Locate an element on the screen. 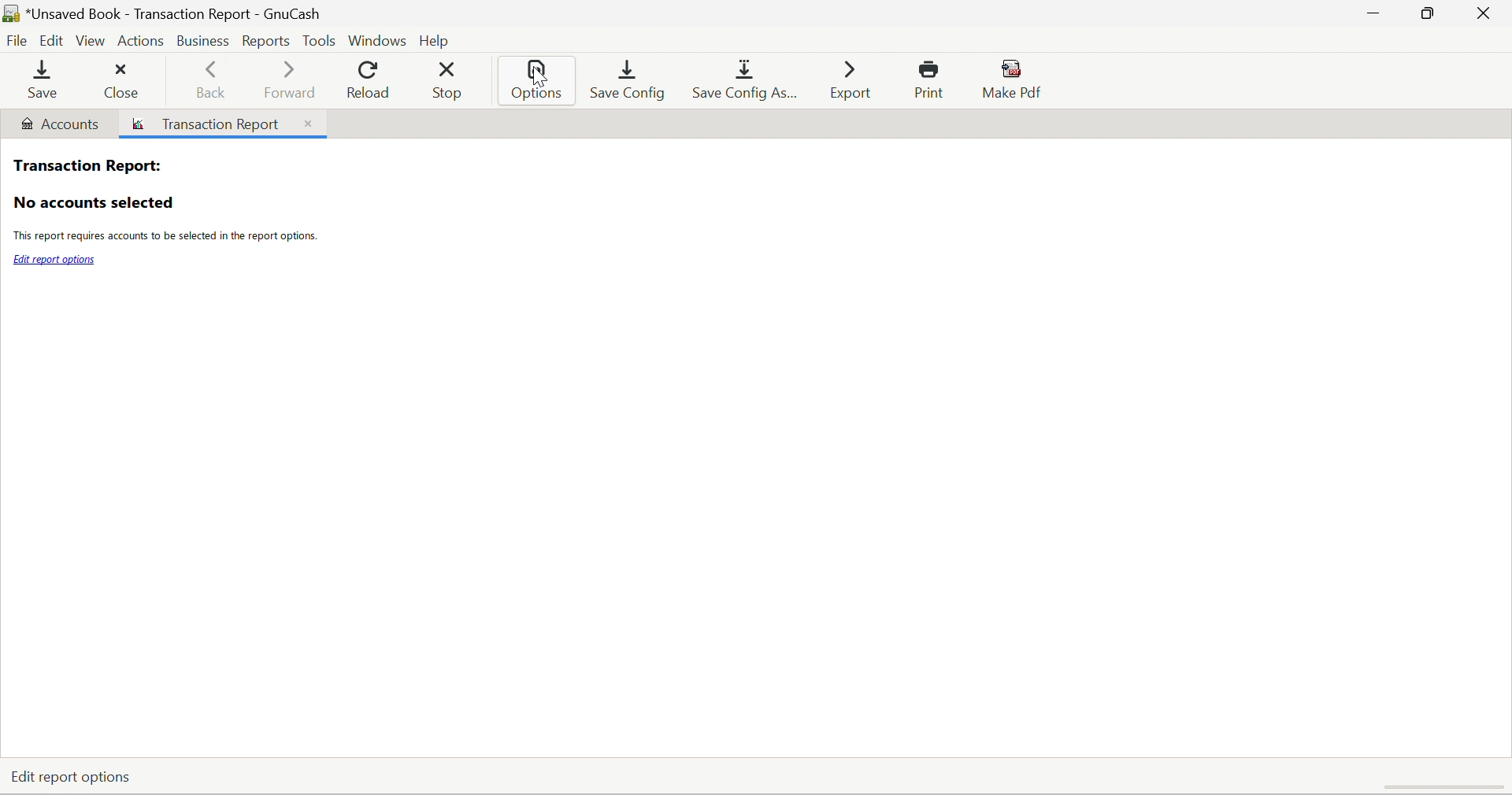 The width and height of the screenshot is (1512, 795). Options is located at coordinates (539, 83).